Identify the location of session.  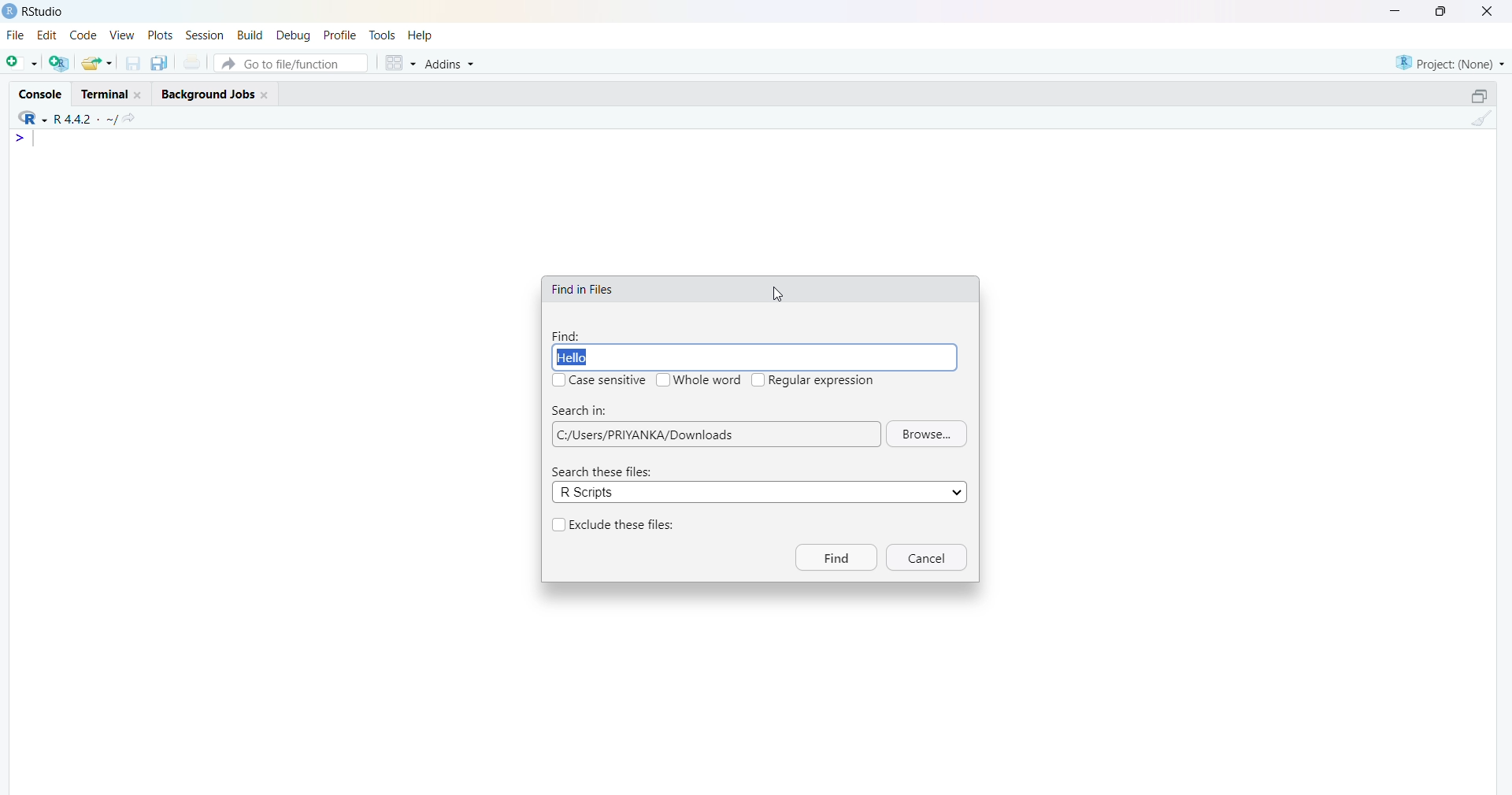
(206, 35).